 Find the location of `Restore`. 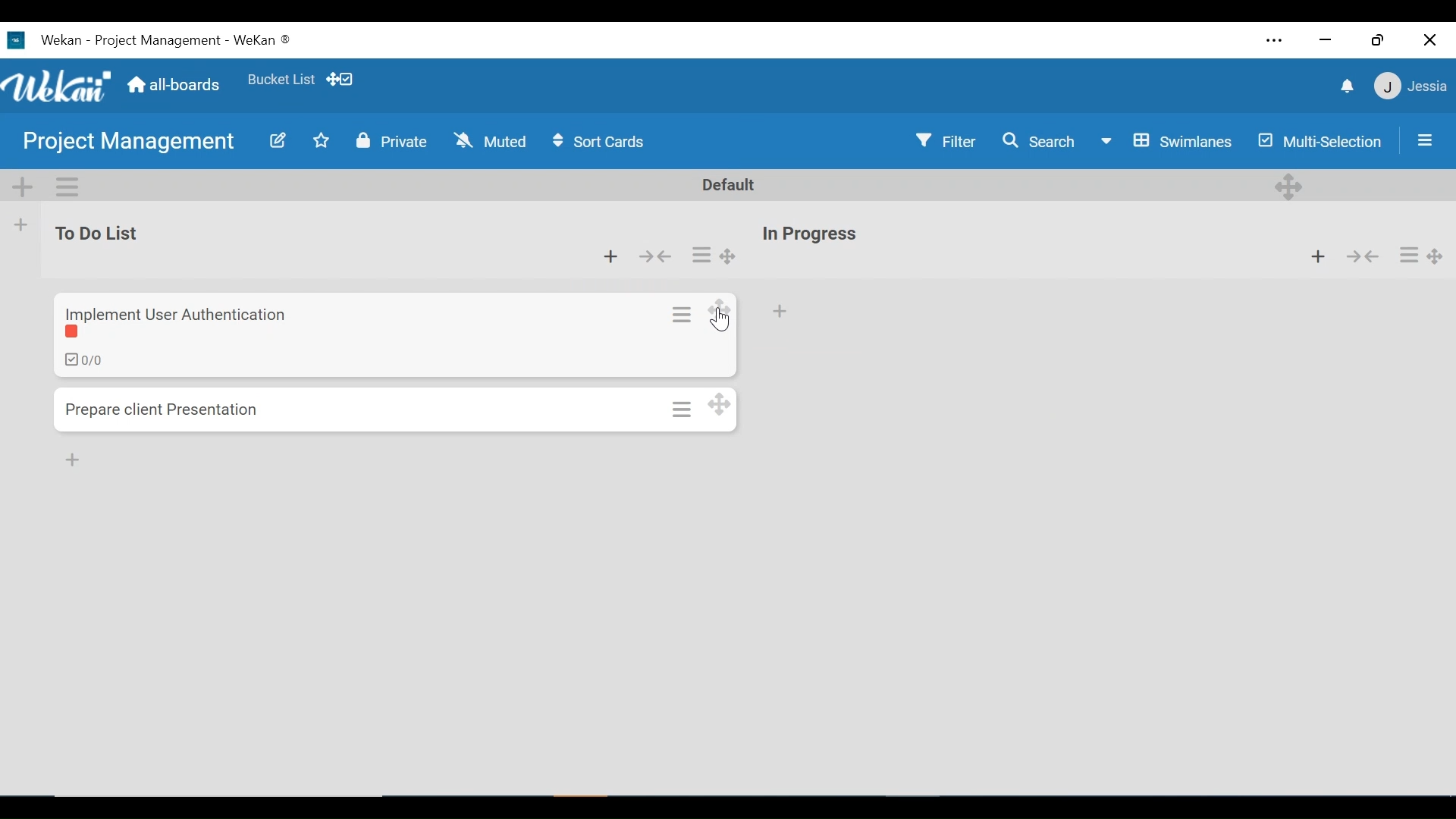

Restore is located at coordinates (1379, 39).